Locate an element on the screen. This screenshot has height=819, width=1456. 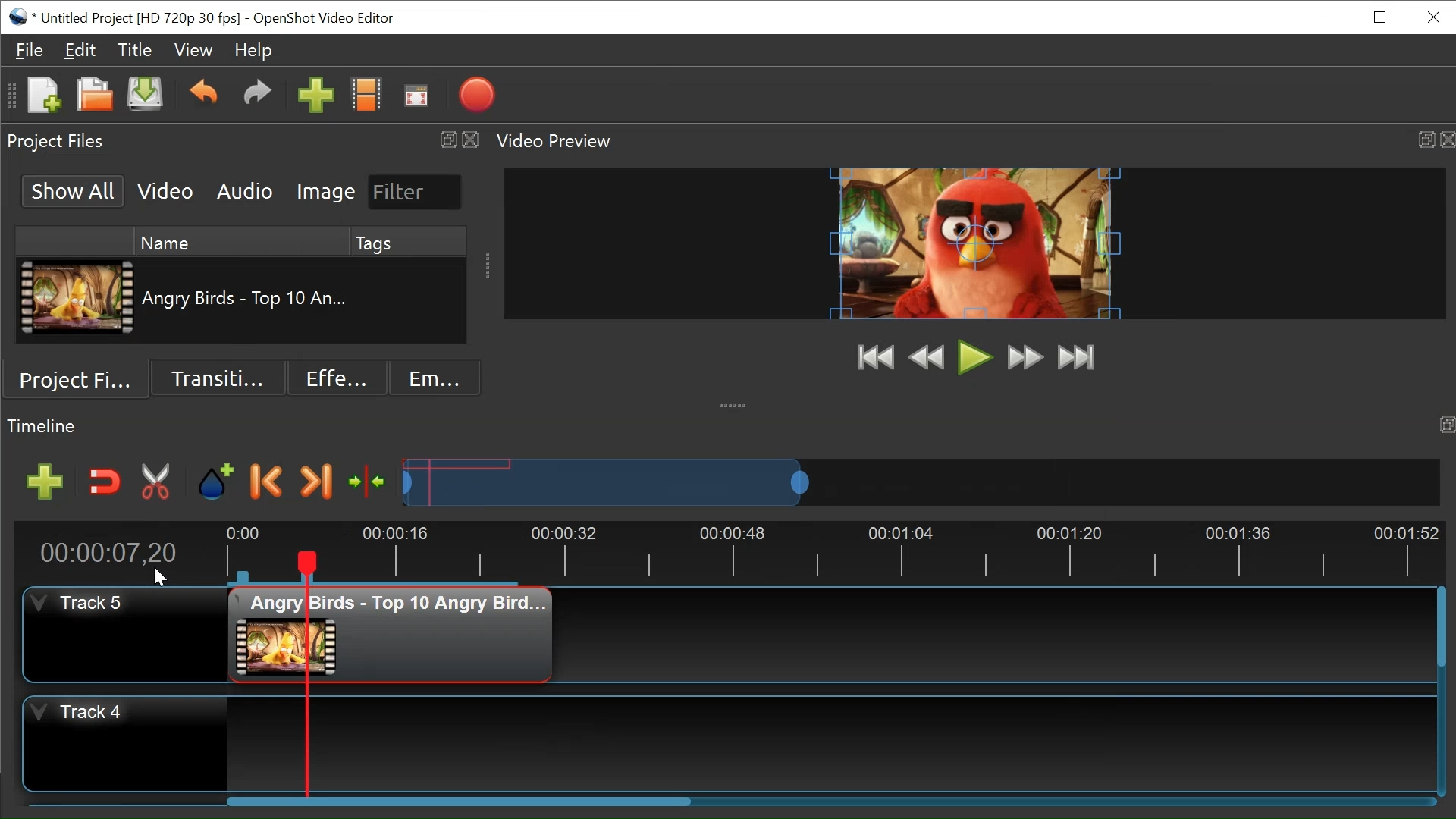
Video is located at coordinates (167, 191).